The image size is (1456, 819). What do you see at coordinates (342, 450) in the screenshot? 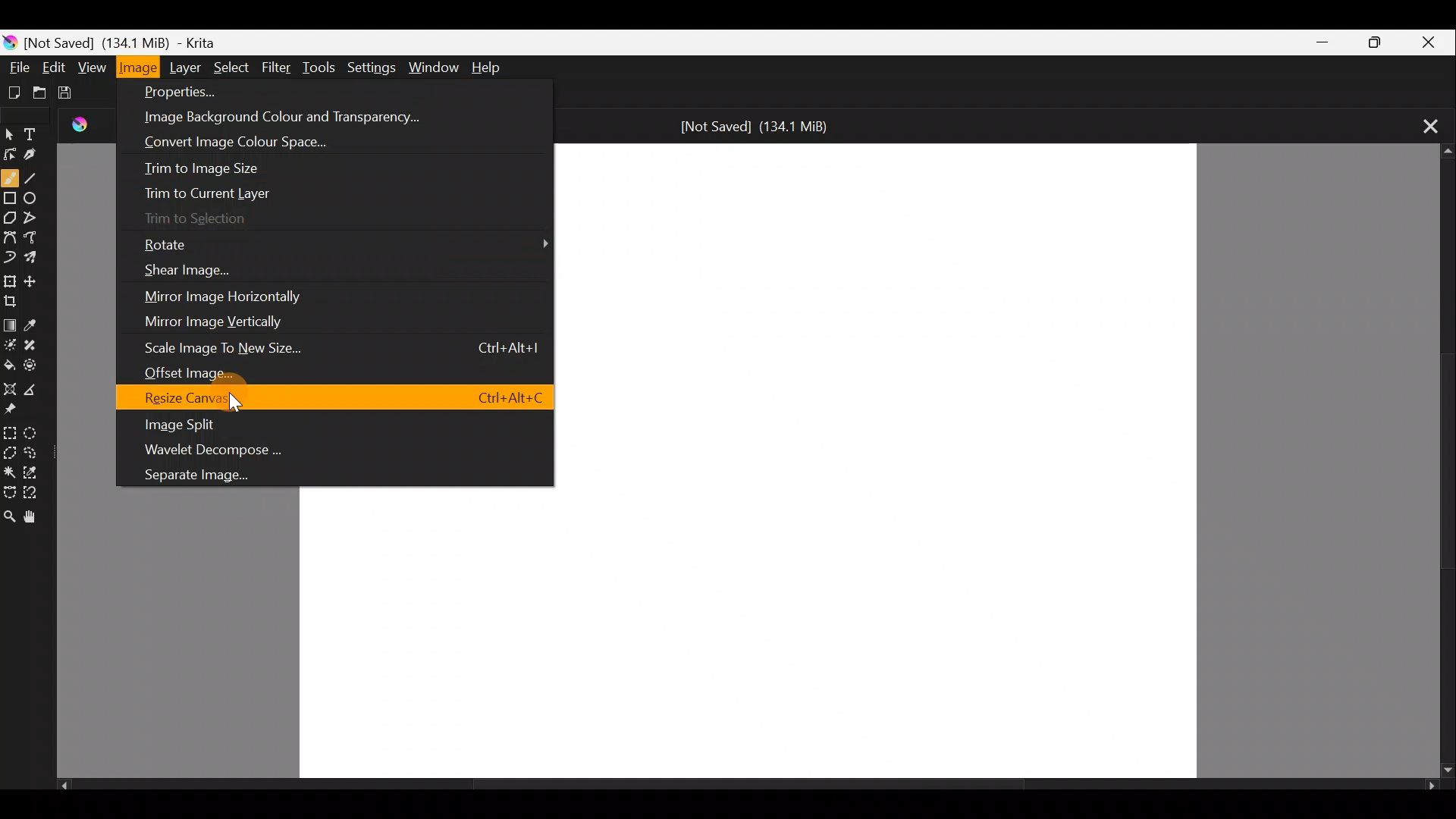
I see `Wavelet decompose` at bounding box center [342, 450].